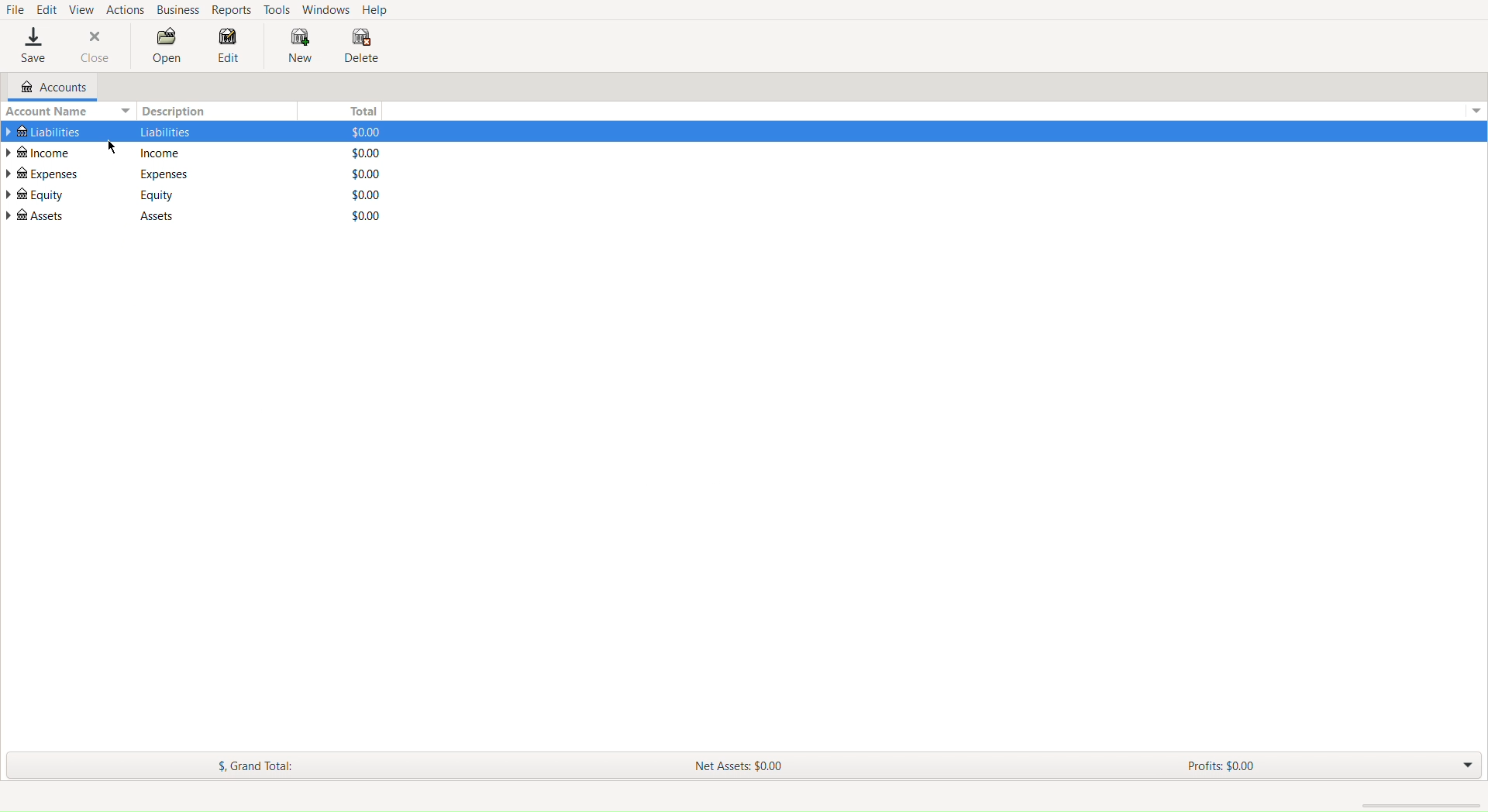  I want to click on Drop down, so click(1465, 766).